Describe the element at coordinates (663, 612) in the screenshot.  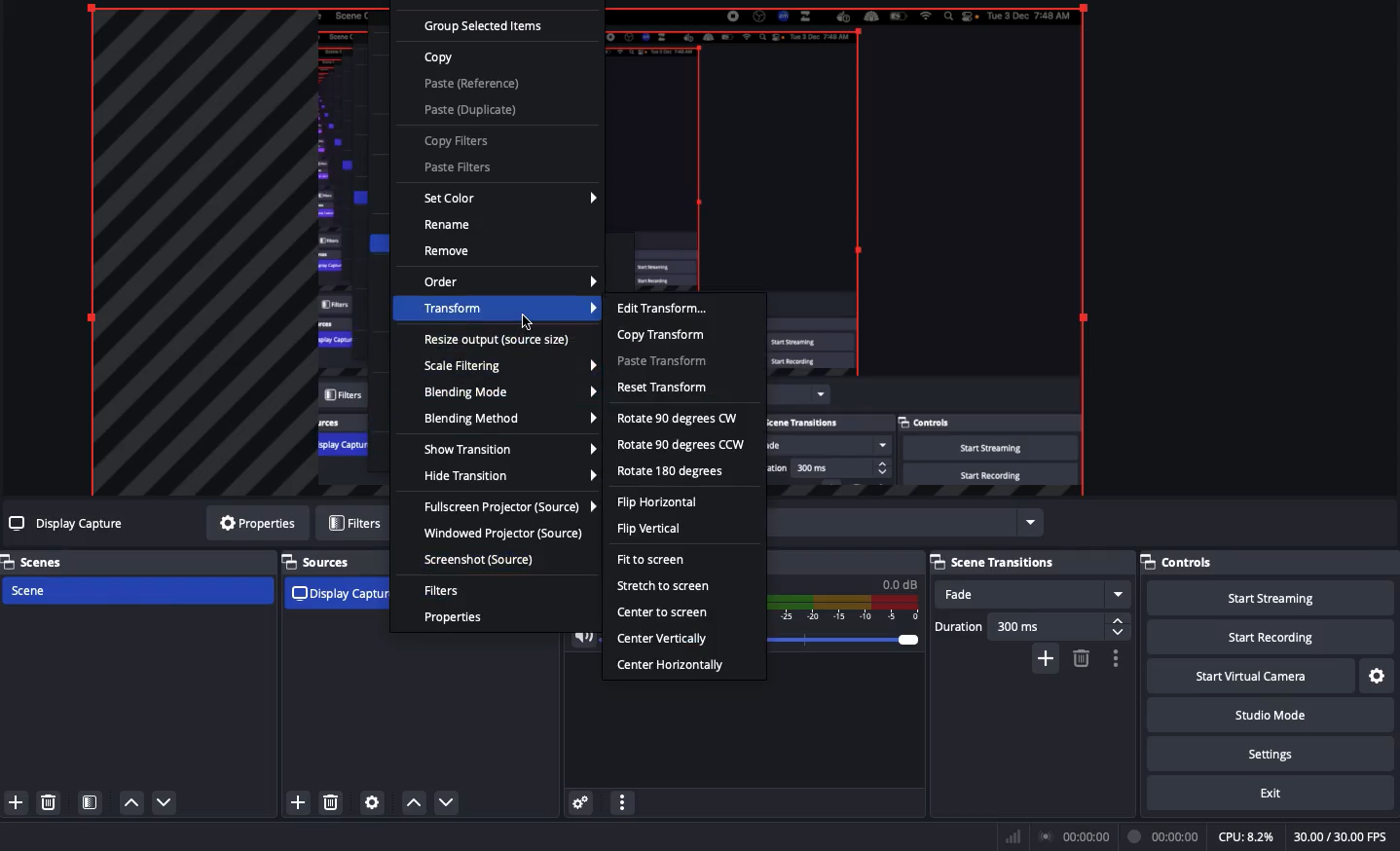
I see `Center to screen ` at that location.